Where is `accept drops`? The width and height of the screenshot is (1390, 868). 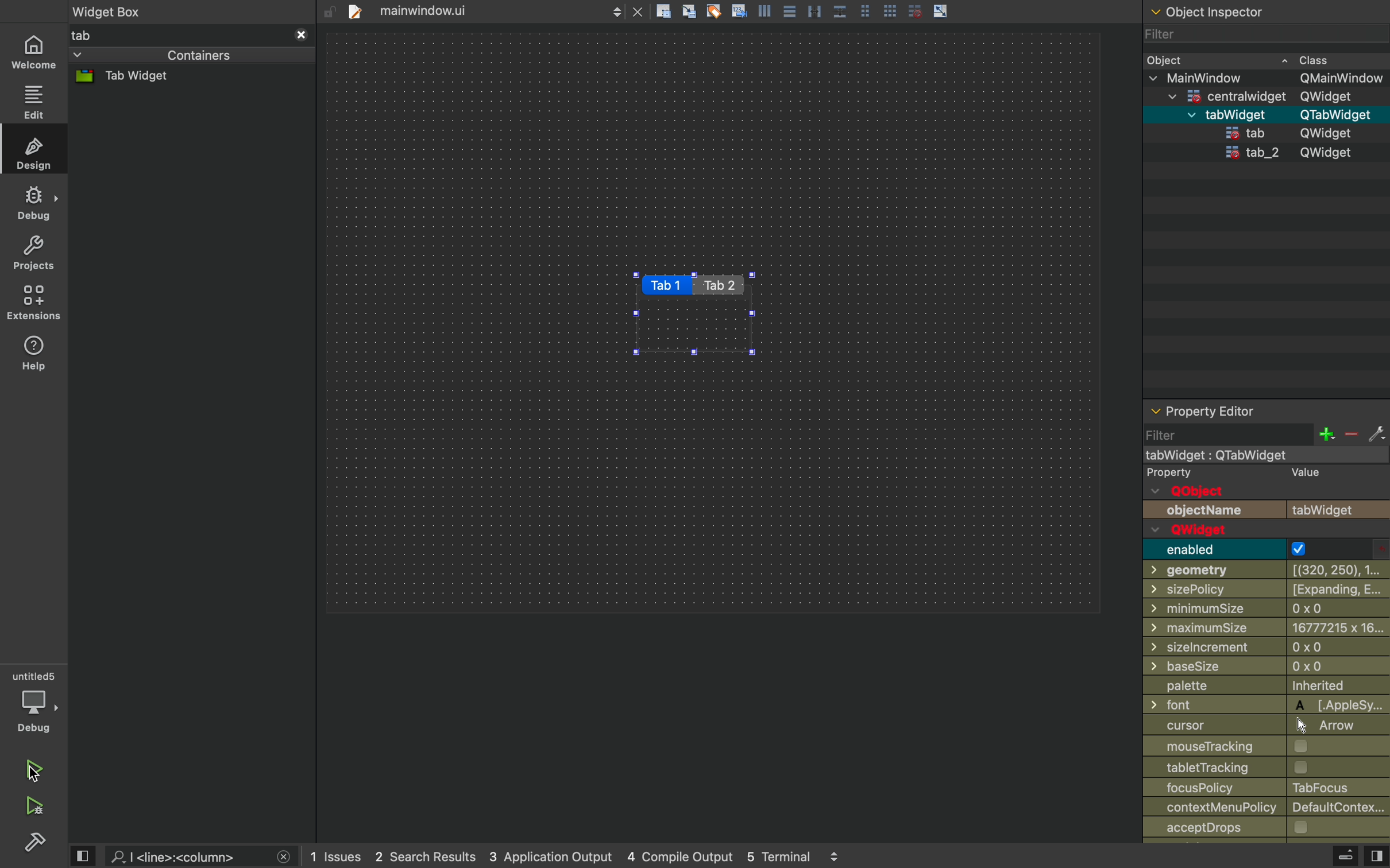
accept drops is located at coordinates (1267, 830).